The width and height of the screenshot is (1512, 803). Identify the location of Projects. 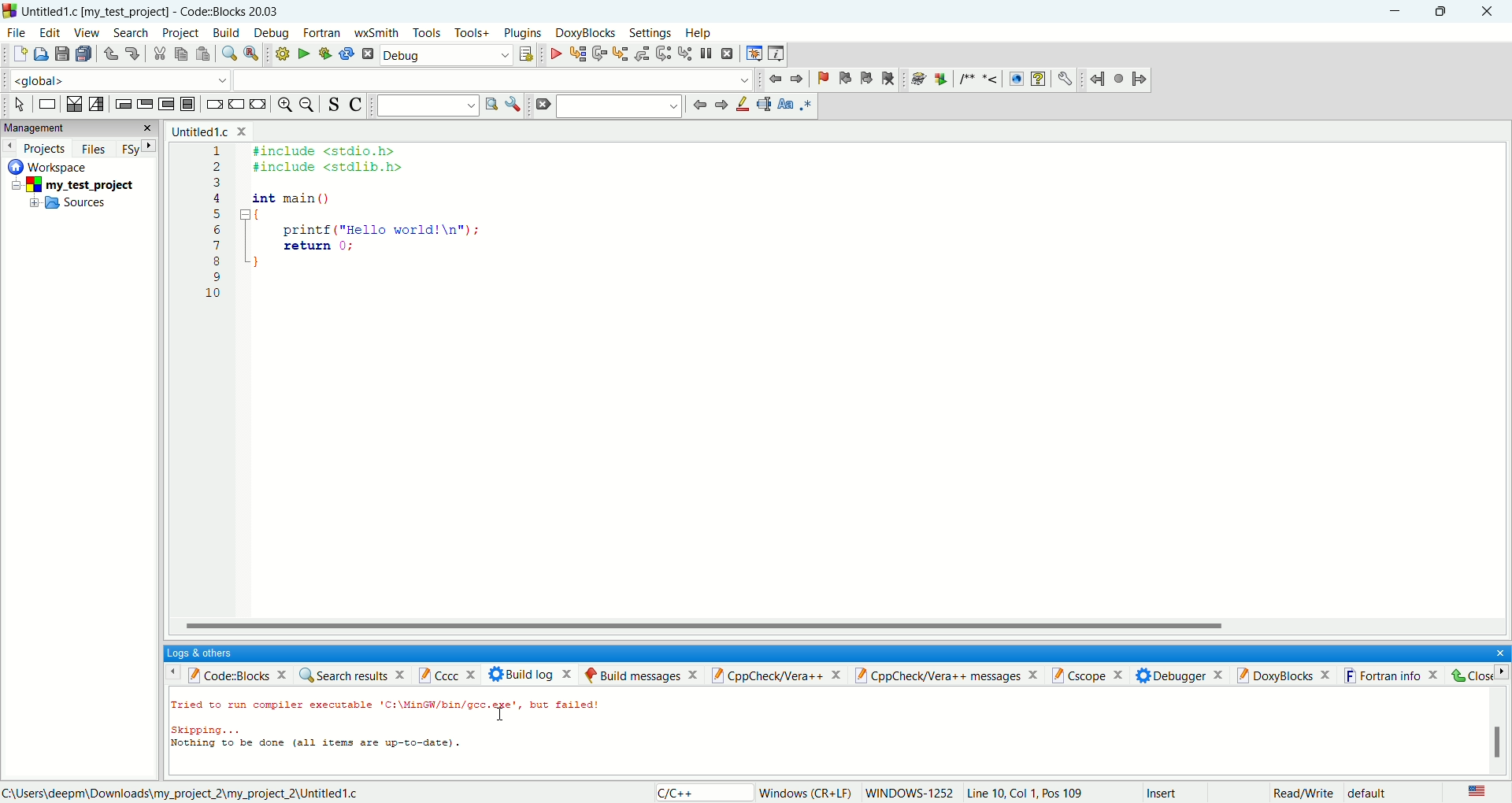
(35, 146).